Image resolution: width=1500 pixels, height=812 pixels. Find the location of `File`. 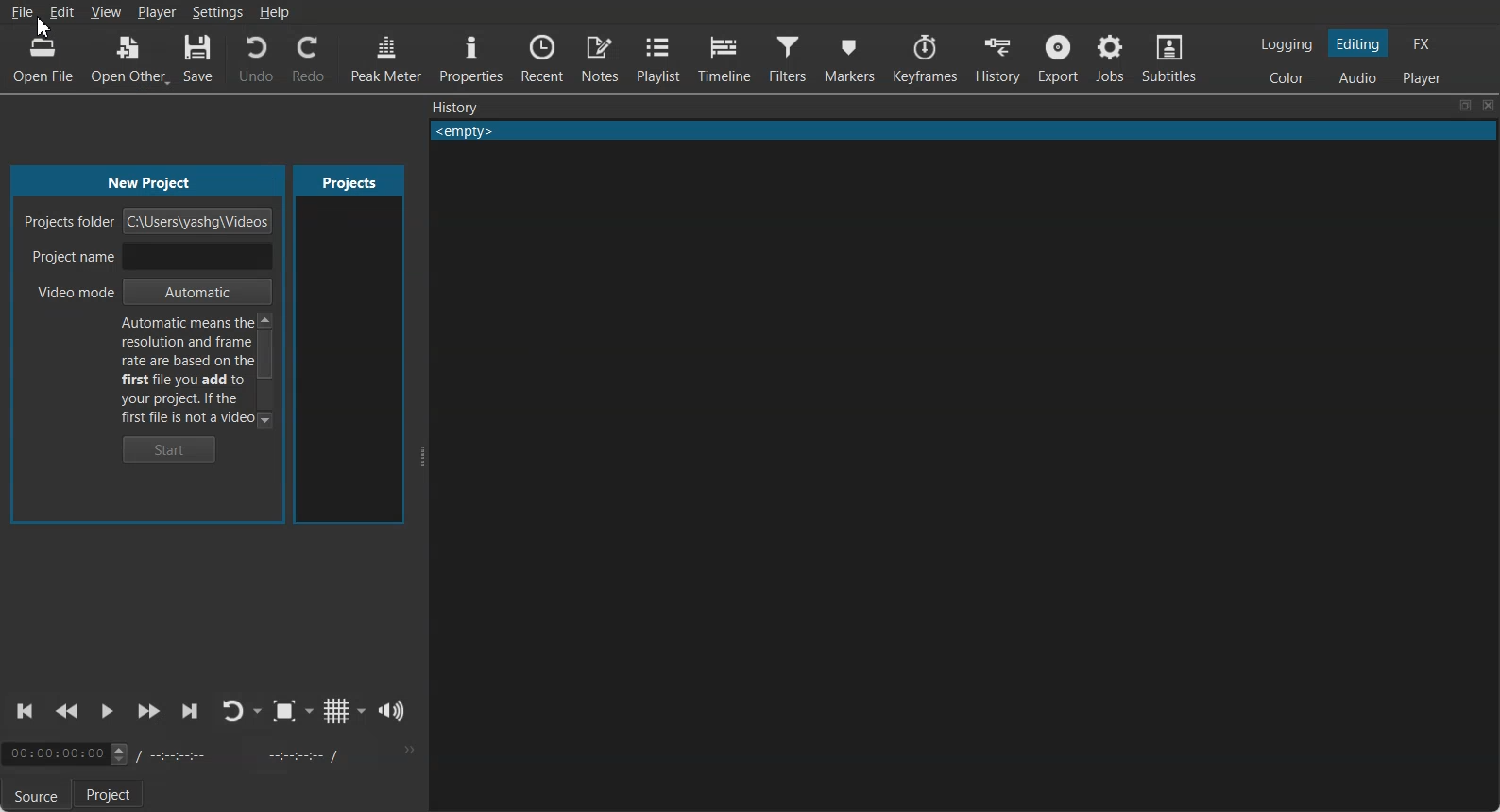

File is located at coordinates (22, 13).